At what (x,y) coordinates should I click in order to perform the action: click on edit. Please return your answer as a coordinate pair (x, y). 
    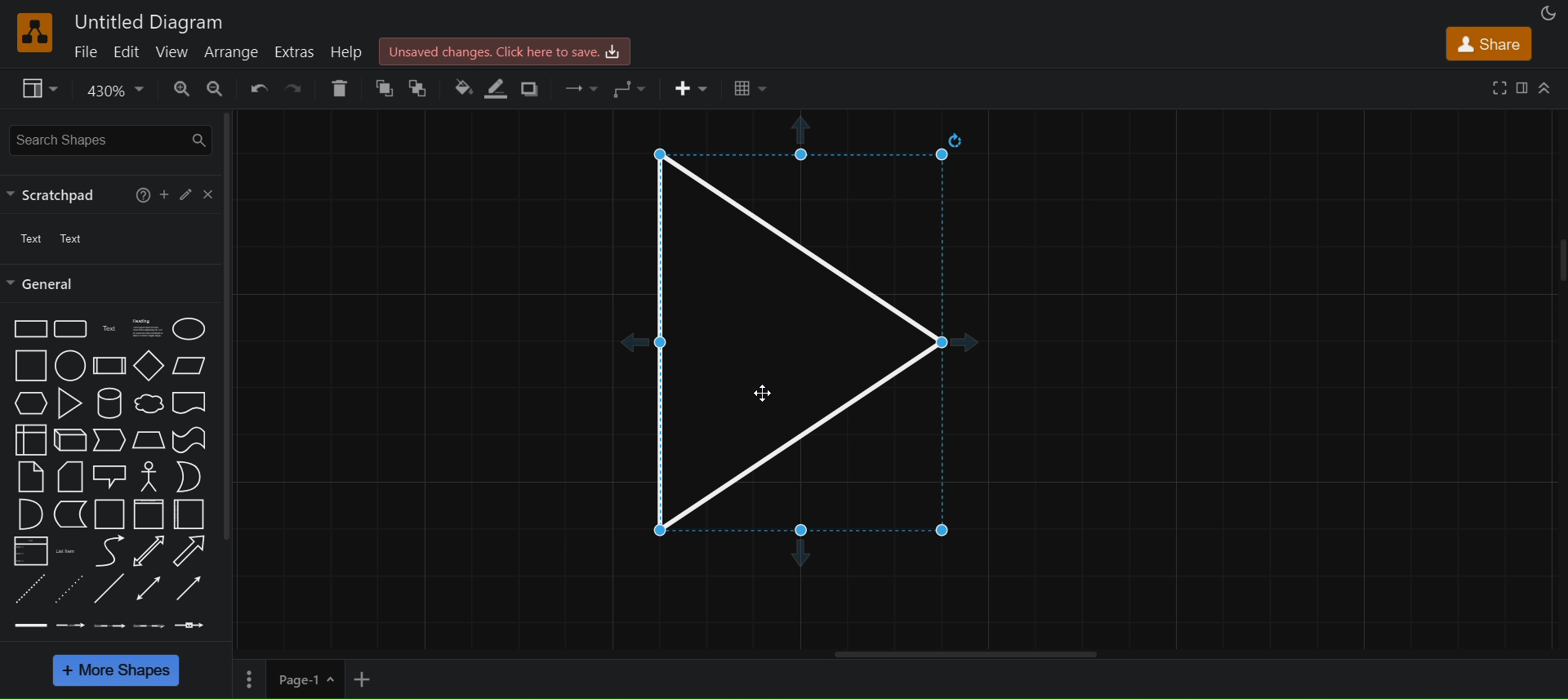
    Looking at the image, I should click on (184, 194).